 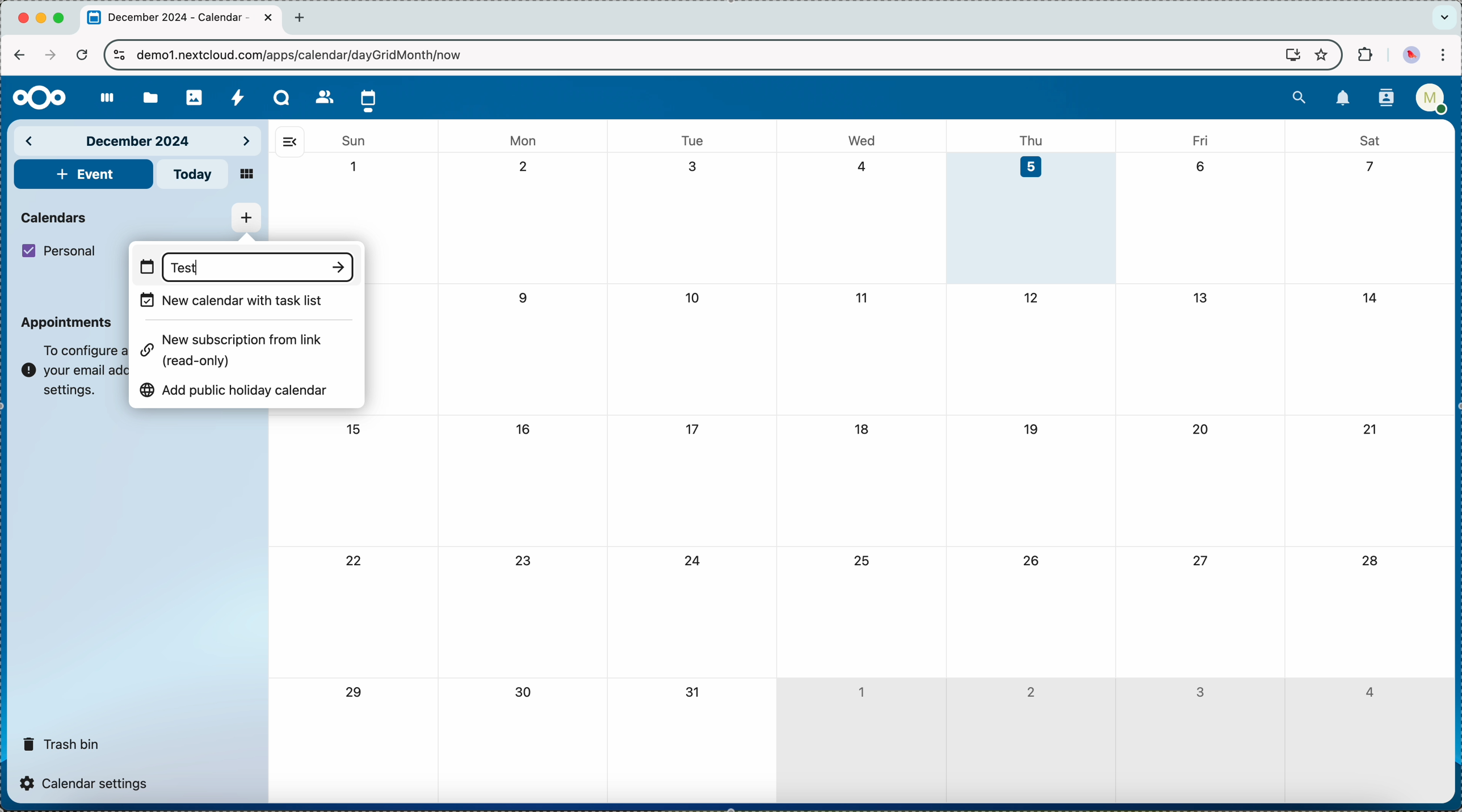 What do you see at coordinates (83, 174) in the screenshot?
I see `add event` at bounding box center [83, 174].